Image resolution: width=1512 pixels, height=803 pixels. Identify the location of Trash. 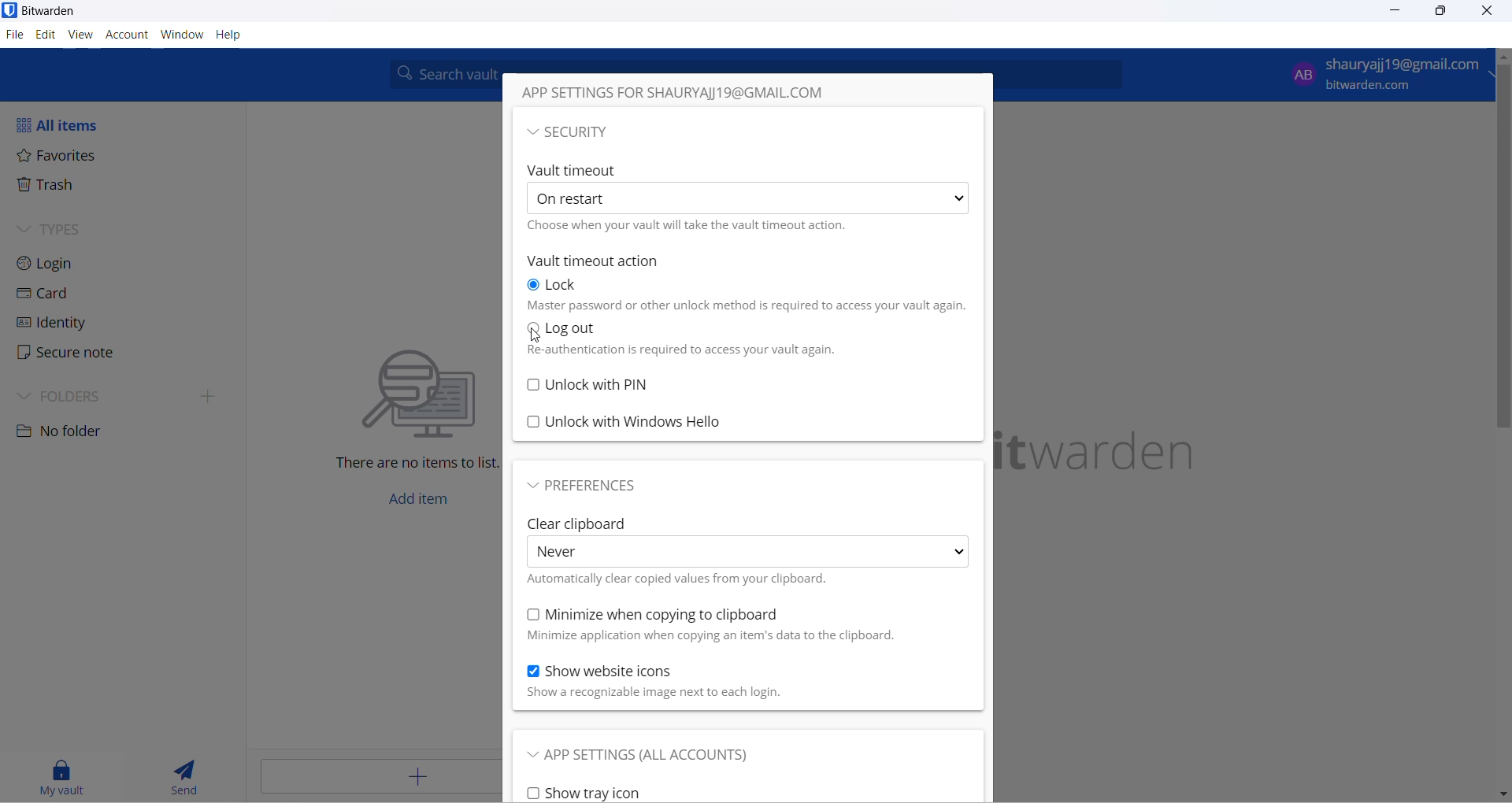
(61, 189).